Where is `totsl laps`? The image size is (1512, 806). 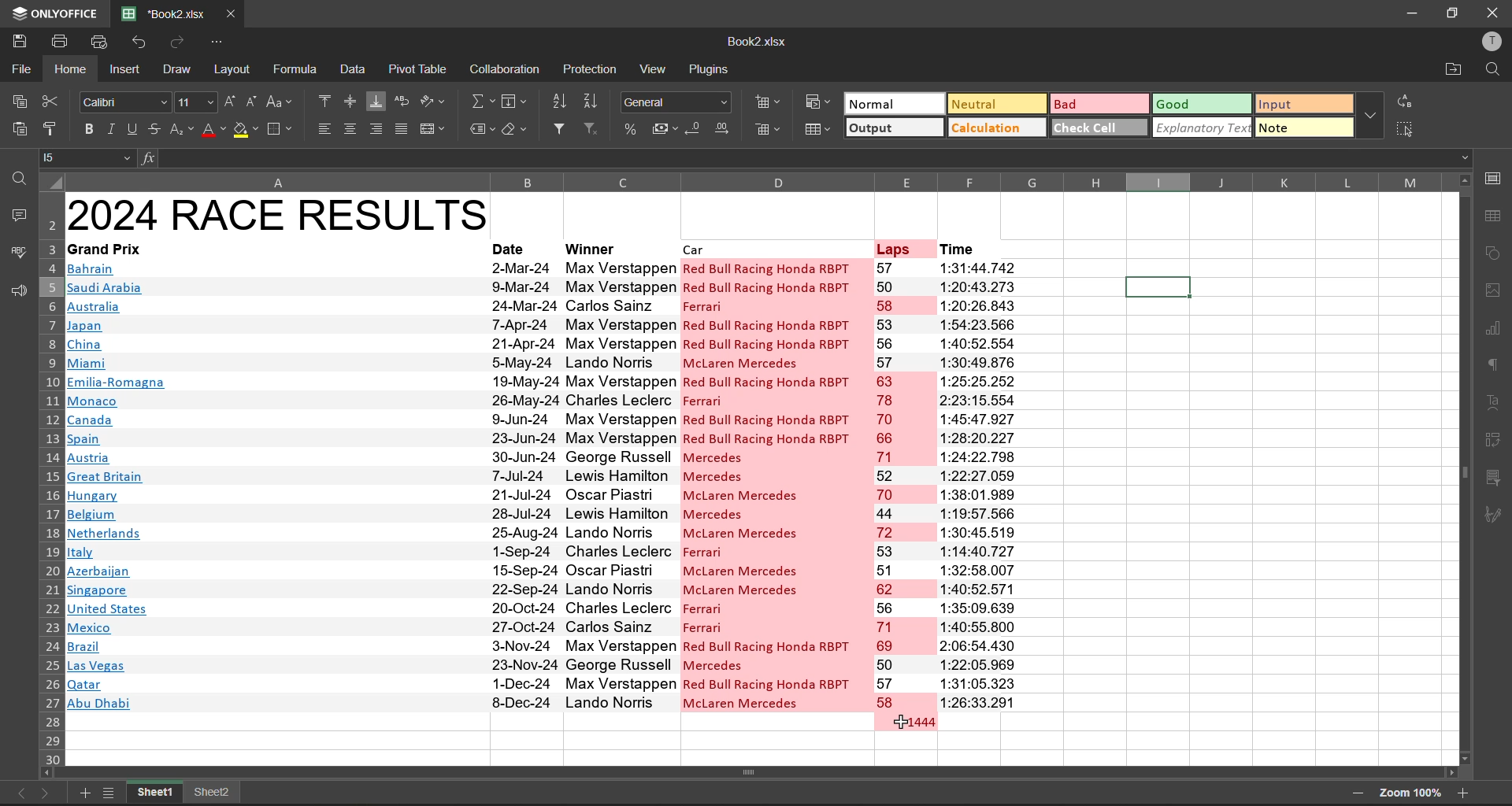
totsl laps is located at coordinates (912, 723).